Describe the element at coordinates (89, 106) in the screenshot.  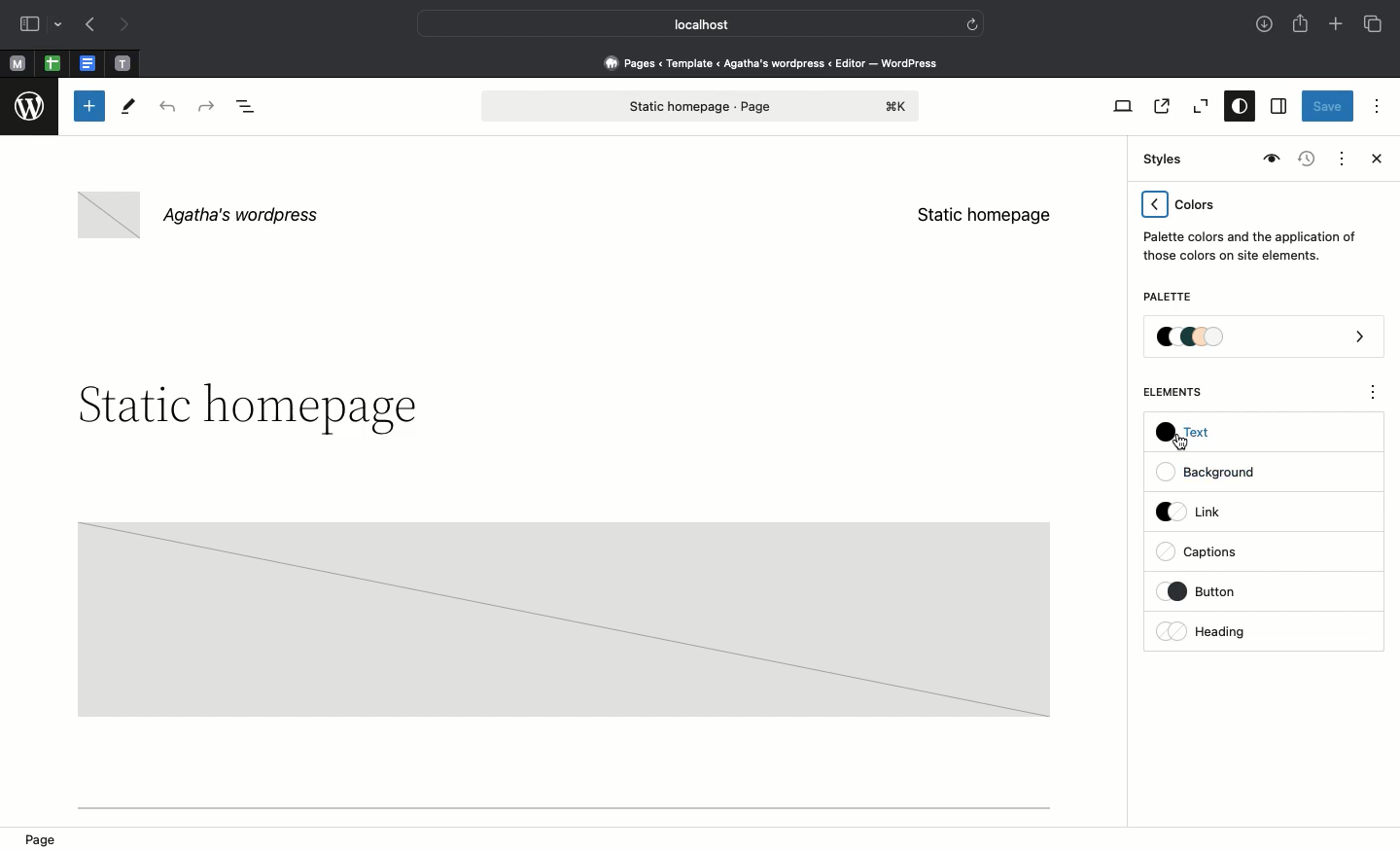
I see `Toggle blocker` at that location.